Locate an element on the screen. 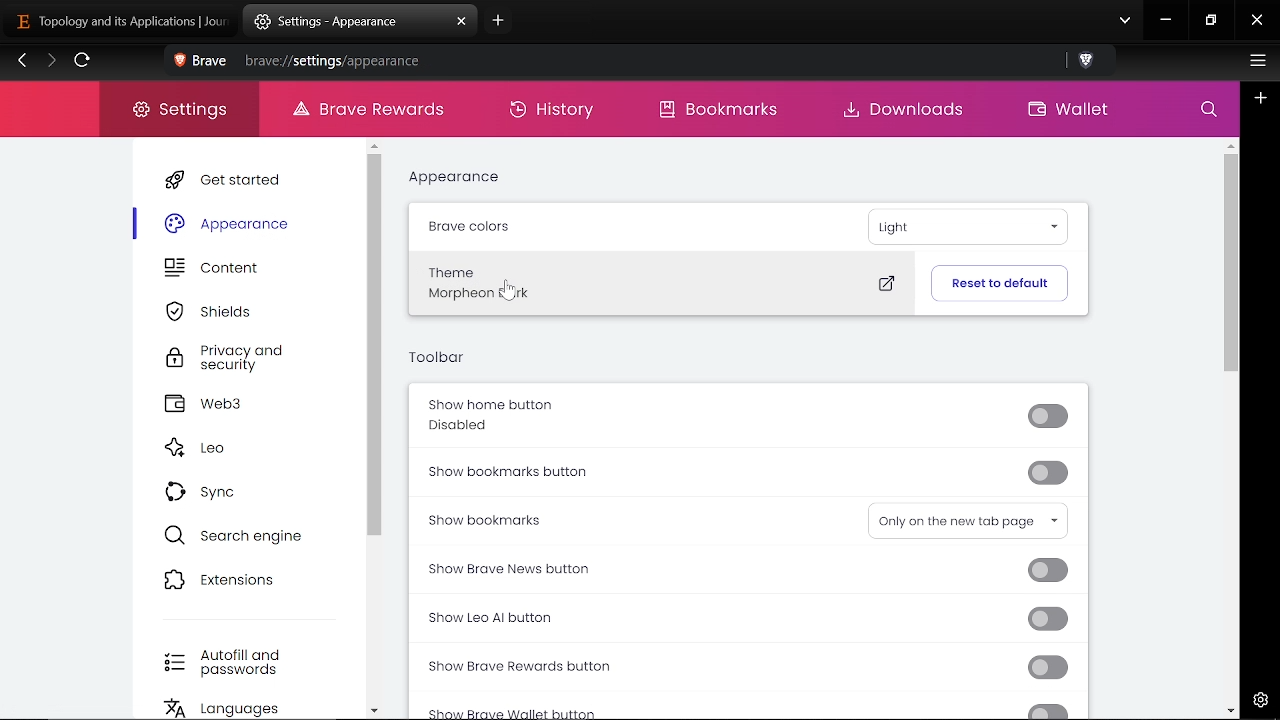  Downloads is located at coordinates (908, 111).